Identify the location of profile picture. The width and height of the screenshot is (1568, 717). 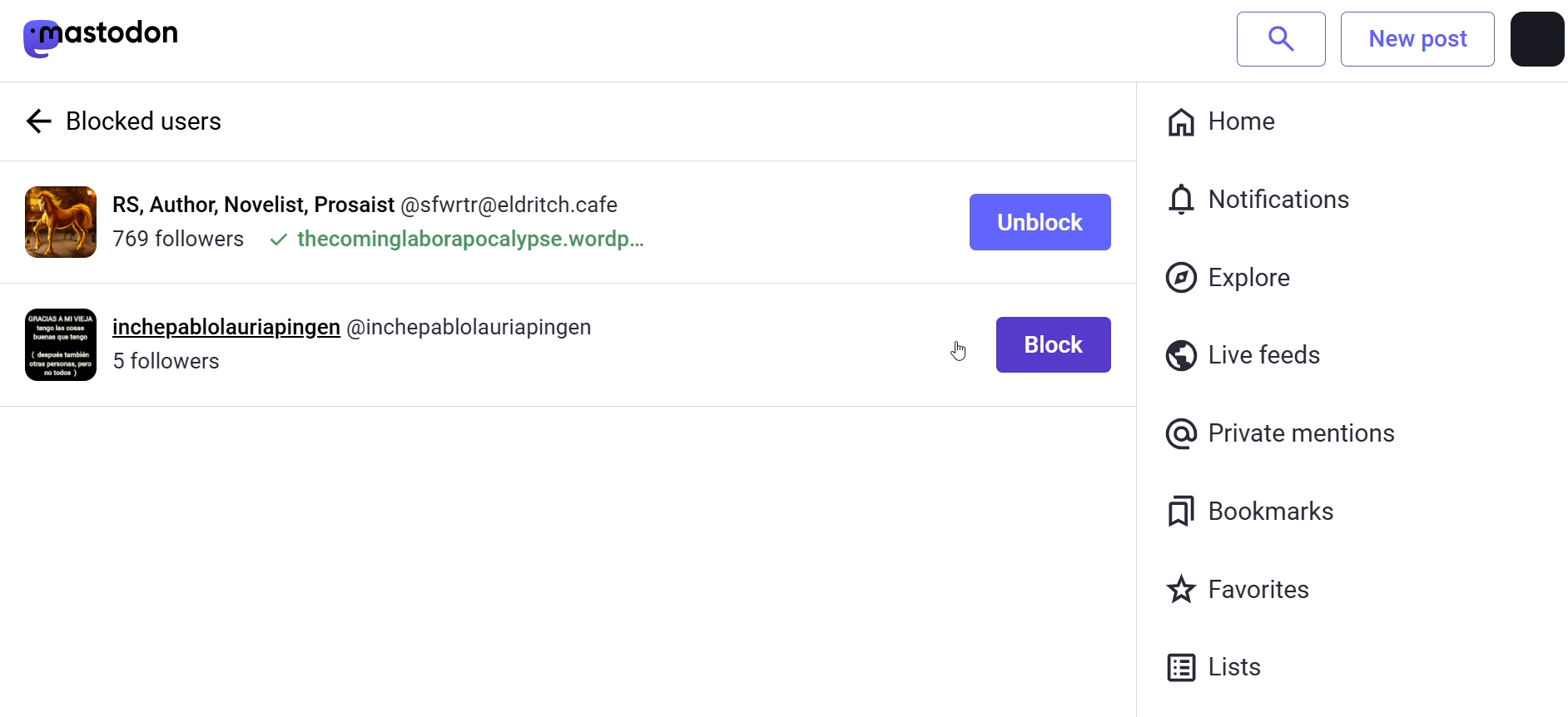
(62, 344).